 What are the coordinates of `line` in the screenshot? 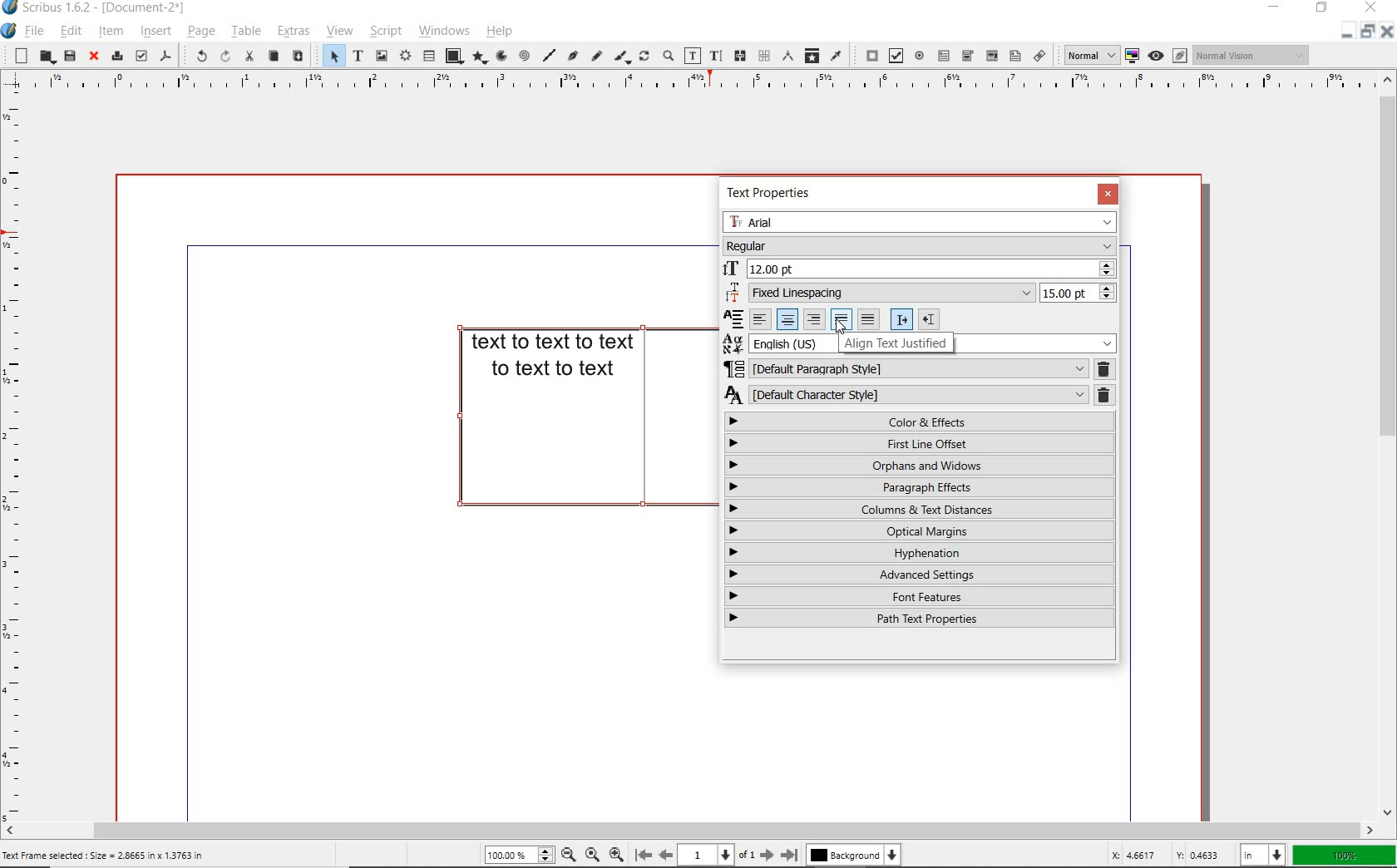 It's located at (550, 55).